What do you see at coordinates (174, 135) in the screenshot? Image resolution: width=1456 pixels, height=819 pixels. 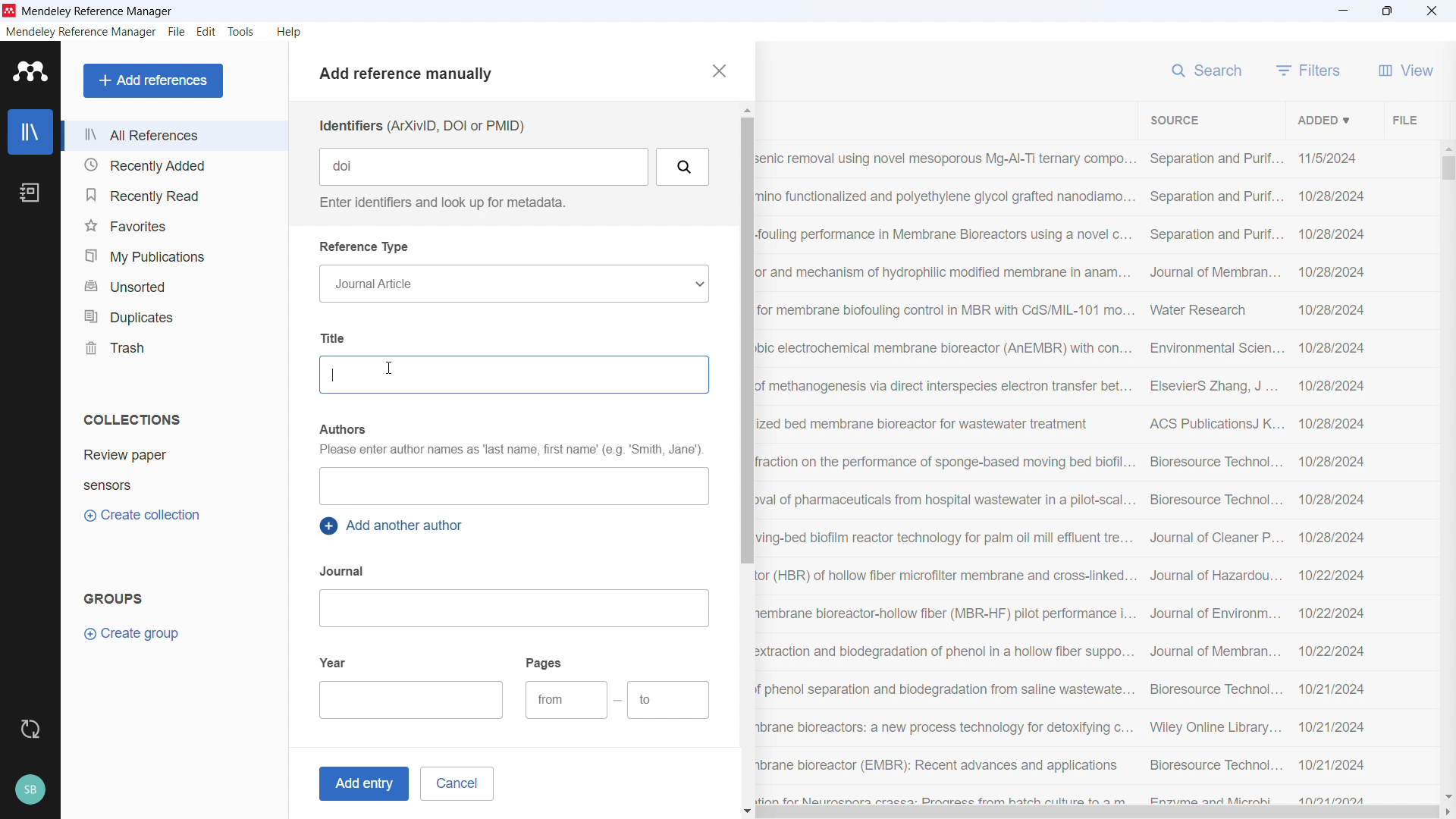 I see `All references ` at bounding box center [174, 135].